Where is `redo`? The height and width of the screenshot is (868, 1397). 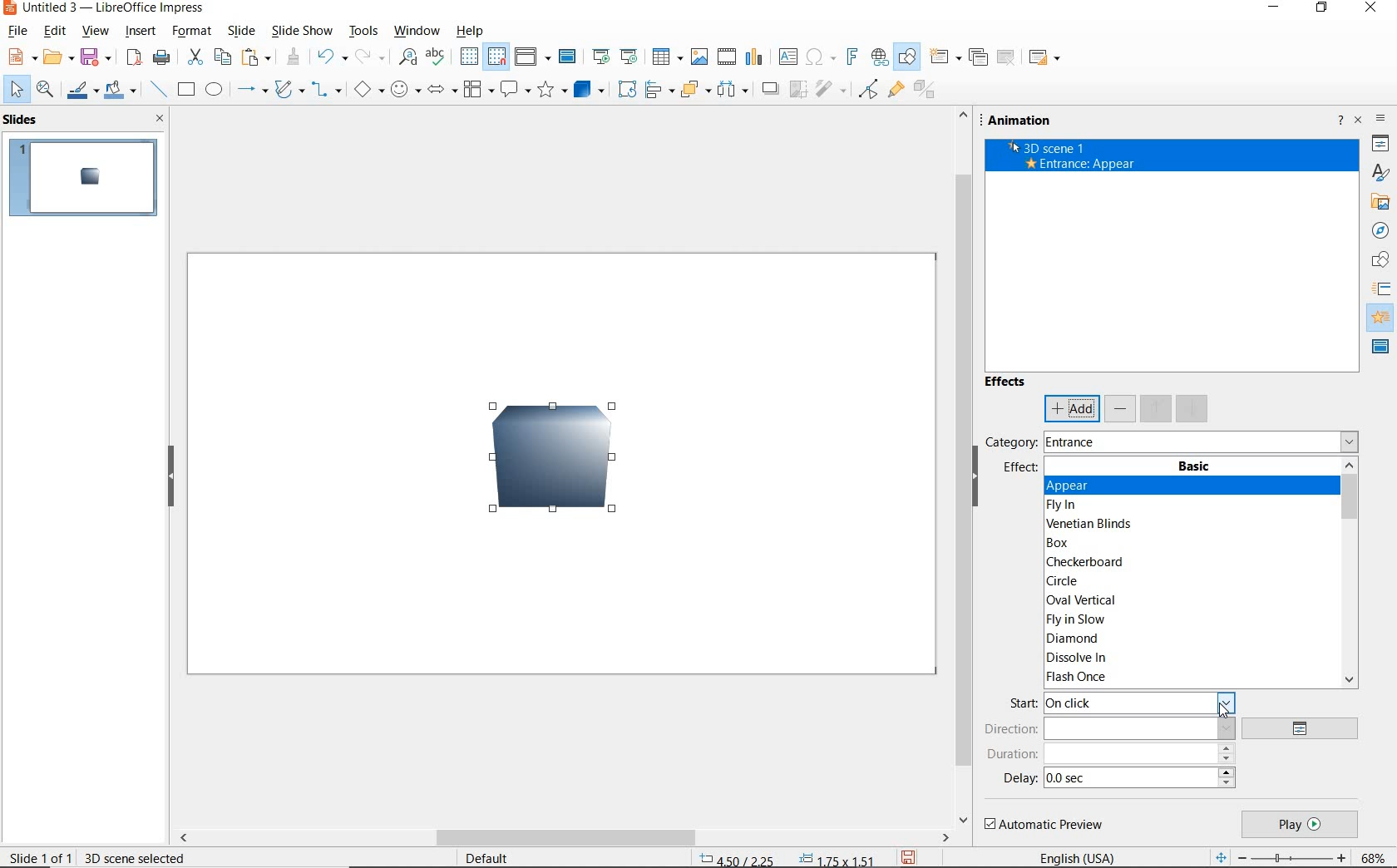 redo is located at coordinates (368, 57).